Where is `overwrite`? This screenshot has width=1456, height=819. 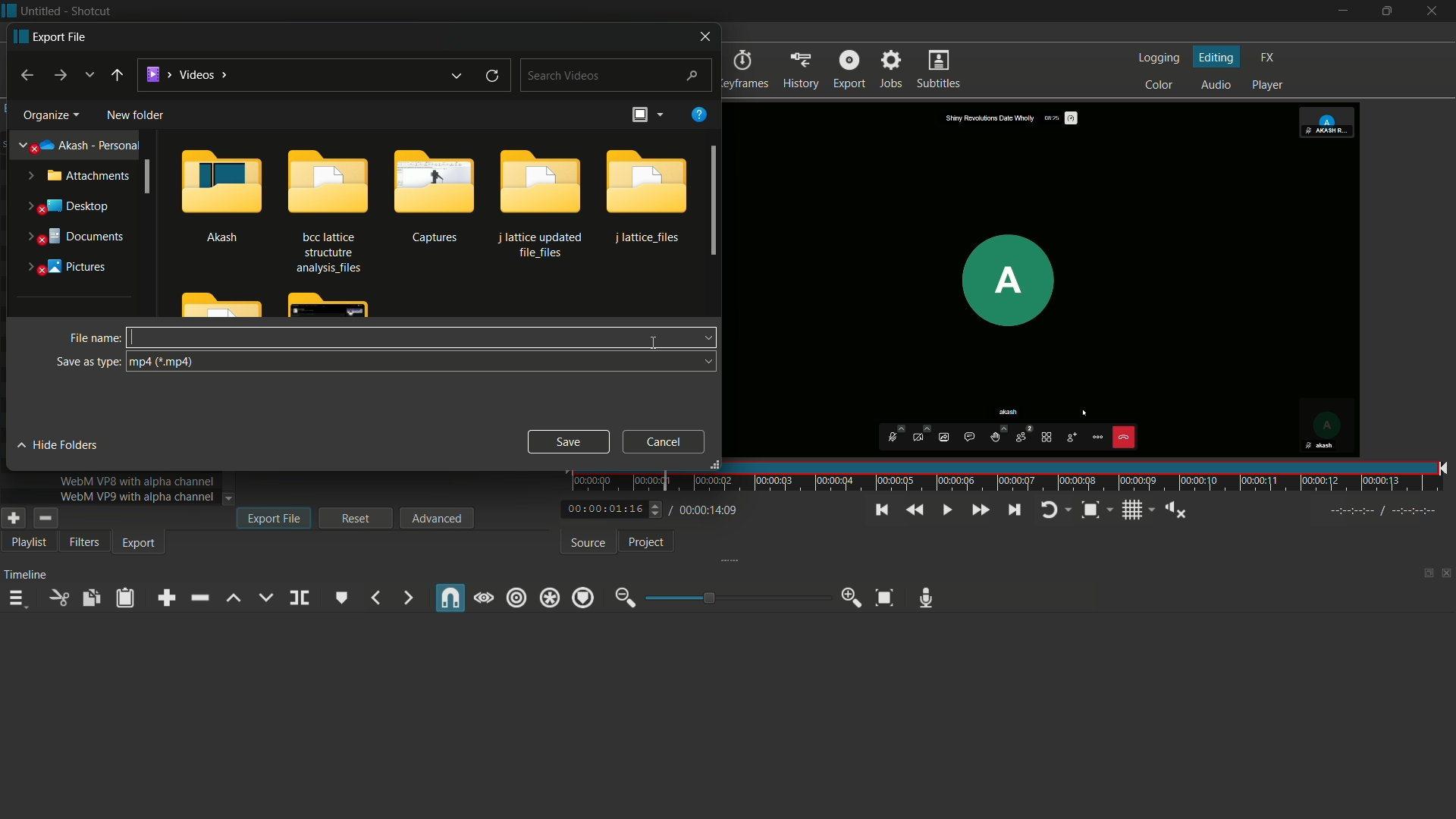 overwrite is located at coordinates (265, 598).